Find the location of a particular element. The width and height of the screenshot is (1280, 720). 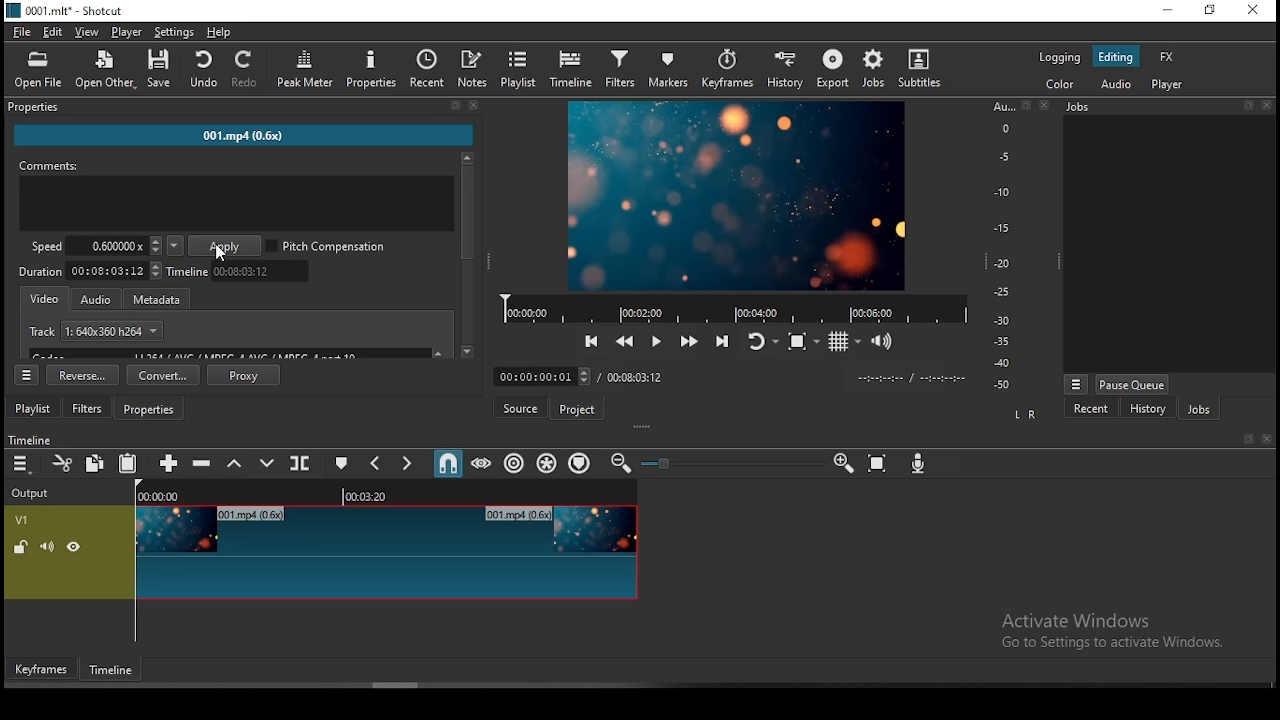

apply is located at coordinates (224, 246).